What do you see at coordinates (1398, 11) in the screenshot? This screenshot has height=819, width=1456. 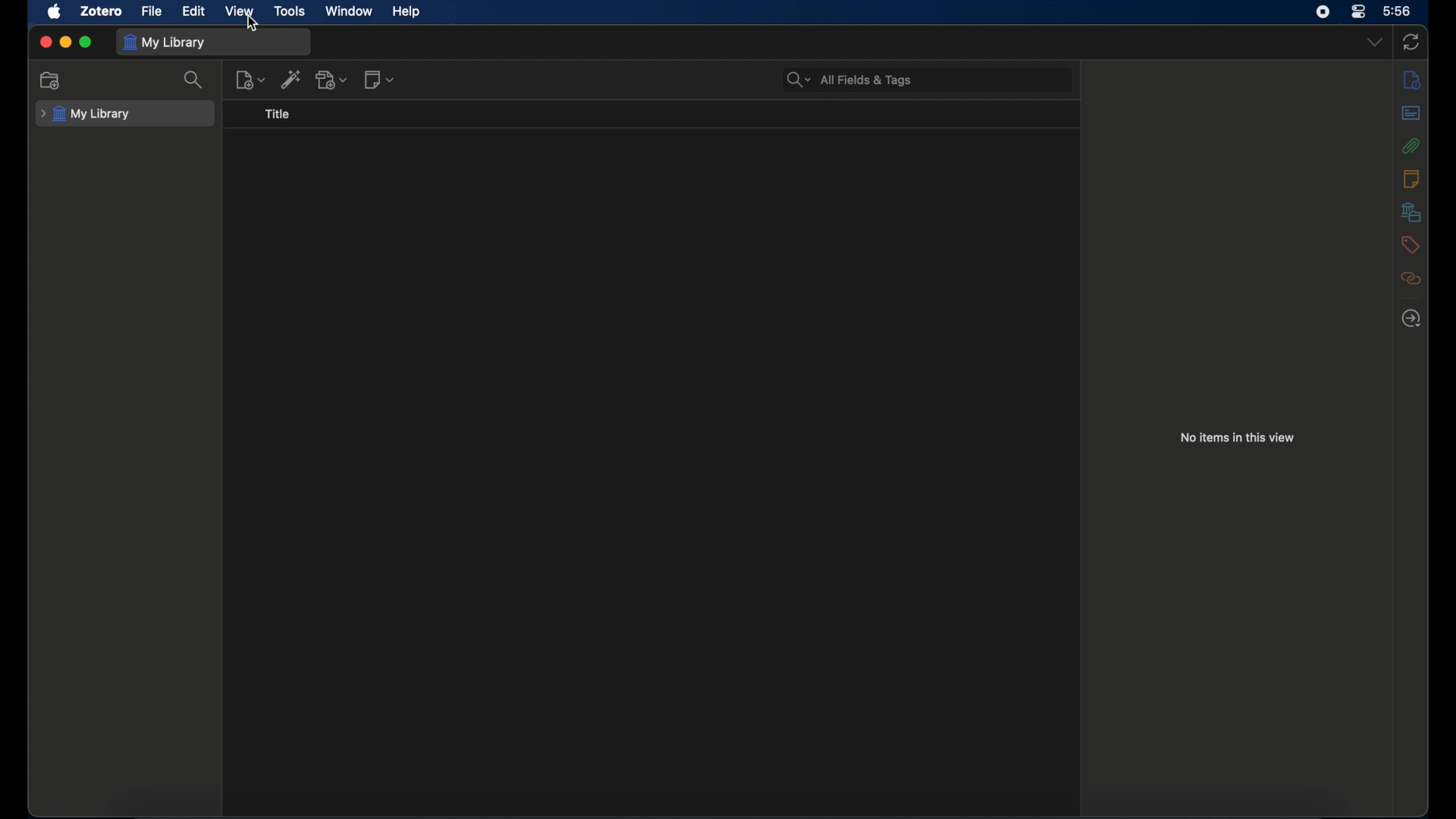 I see `time` at bounding box center [1398, 11].